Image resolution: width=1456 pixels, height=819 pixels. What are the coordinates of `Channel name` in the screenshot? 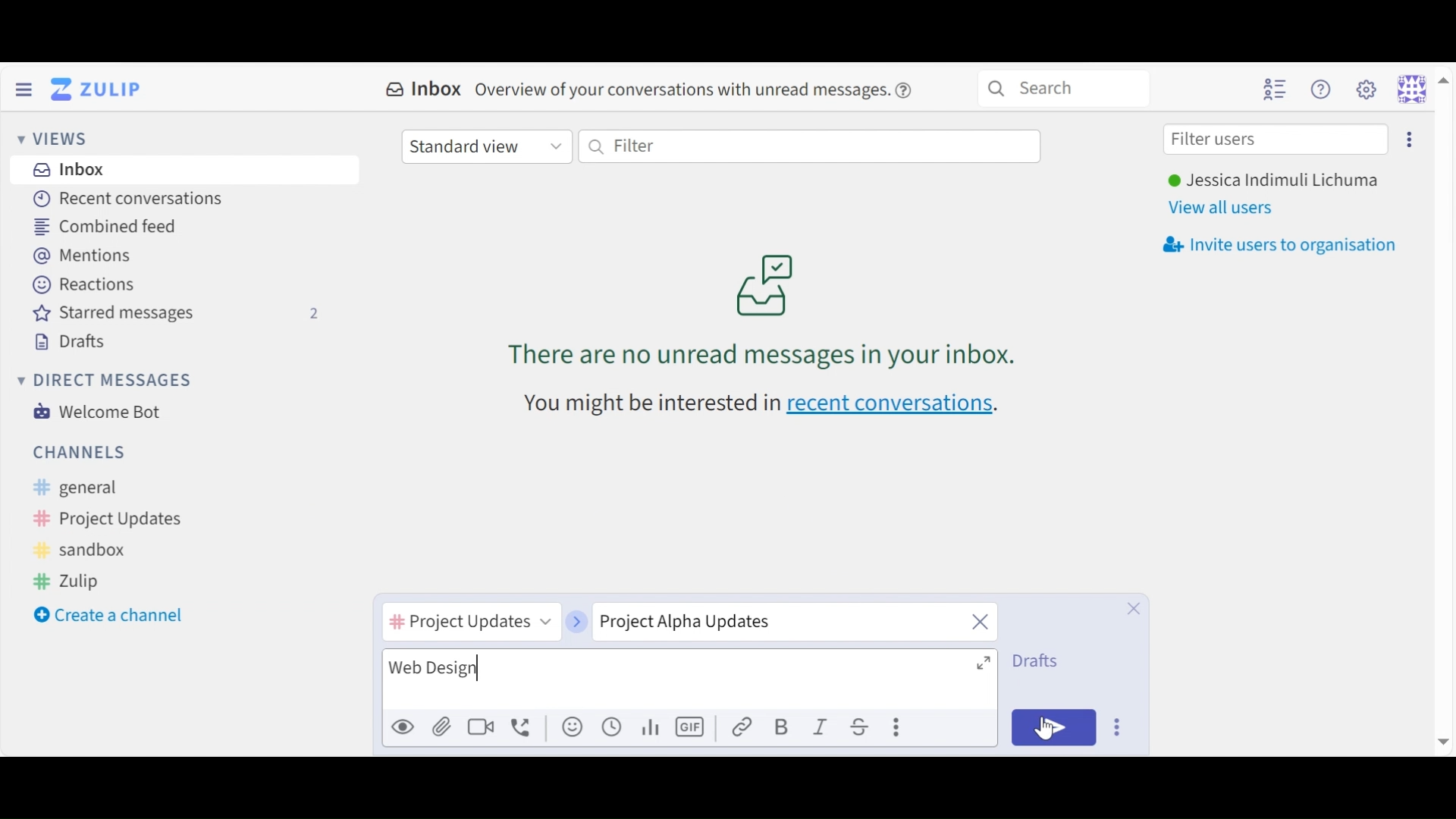 It's located at (467, 626).